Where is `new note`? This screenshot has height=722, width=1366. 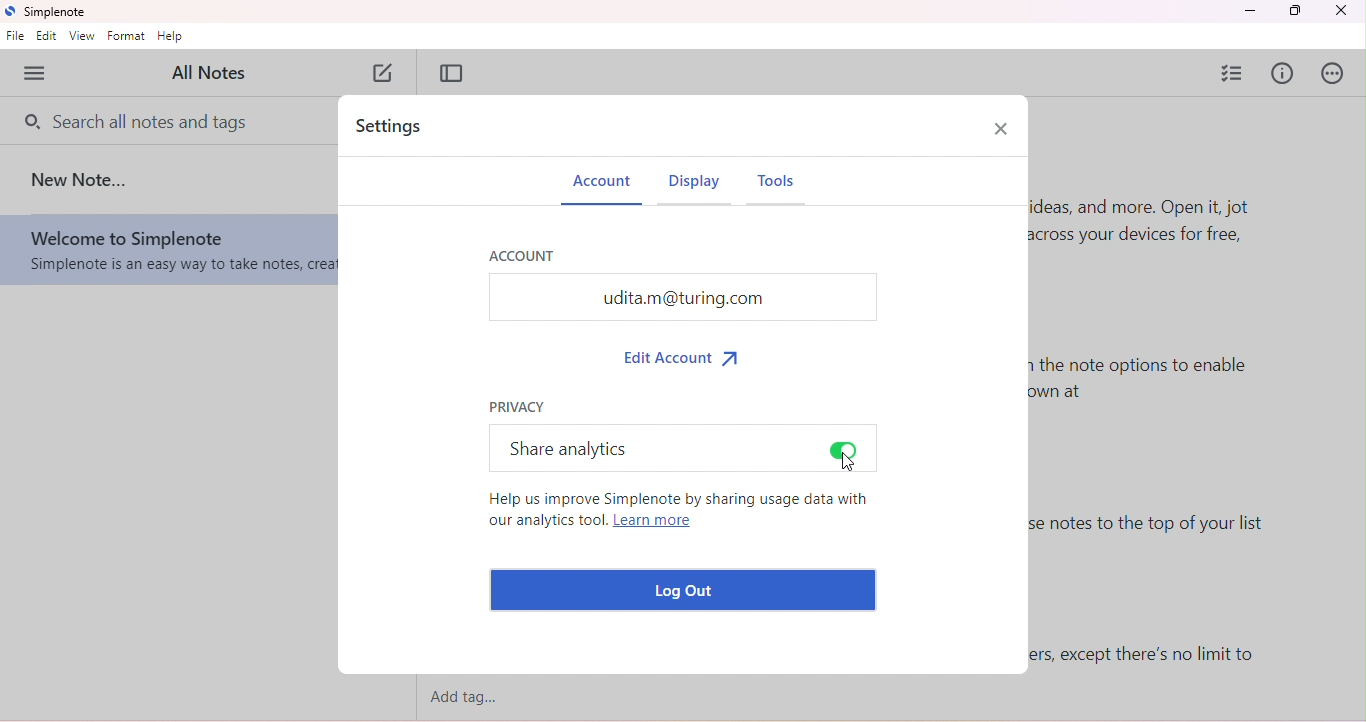 new note is located at coordinates (82, 179).